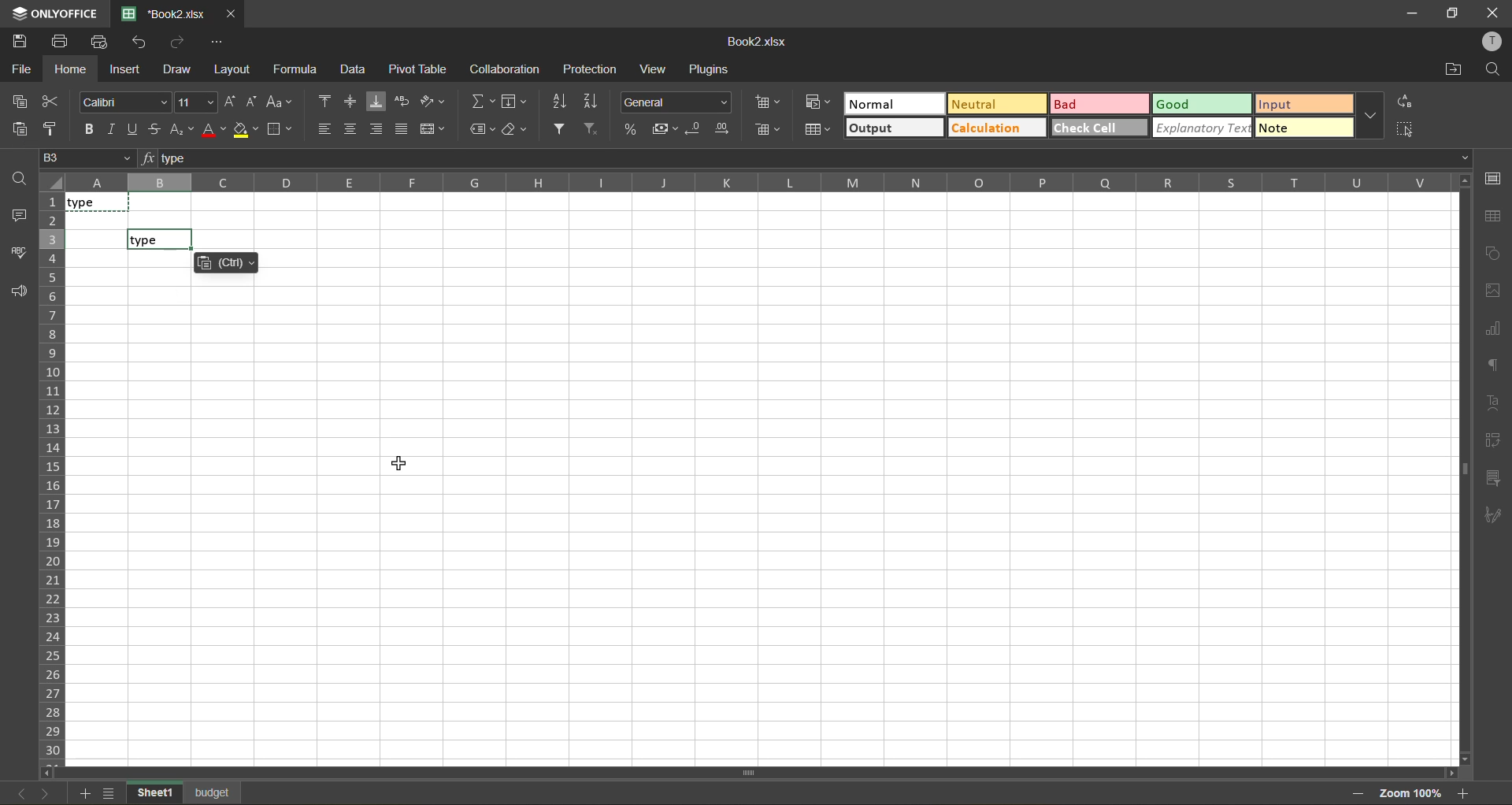  I want to click on Dropdown, so click(1469, 158).